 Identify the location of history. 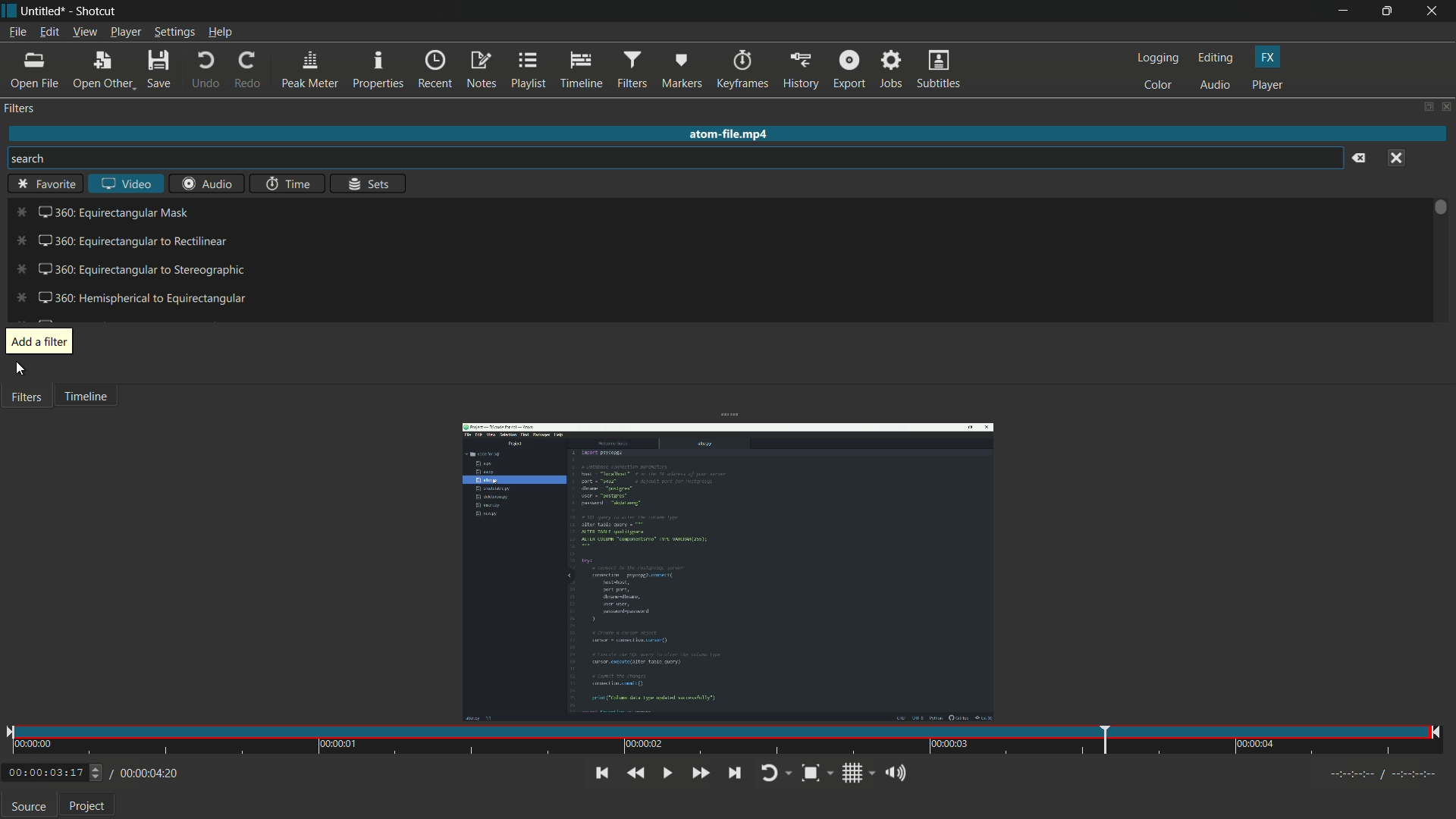
(800, 71).